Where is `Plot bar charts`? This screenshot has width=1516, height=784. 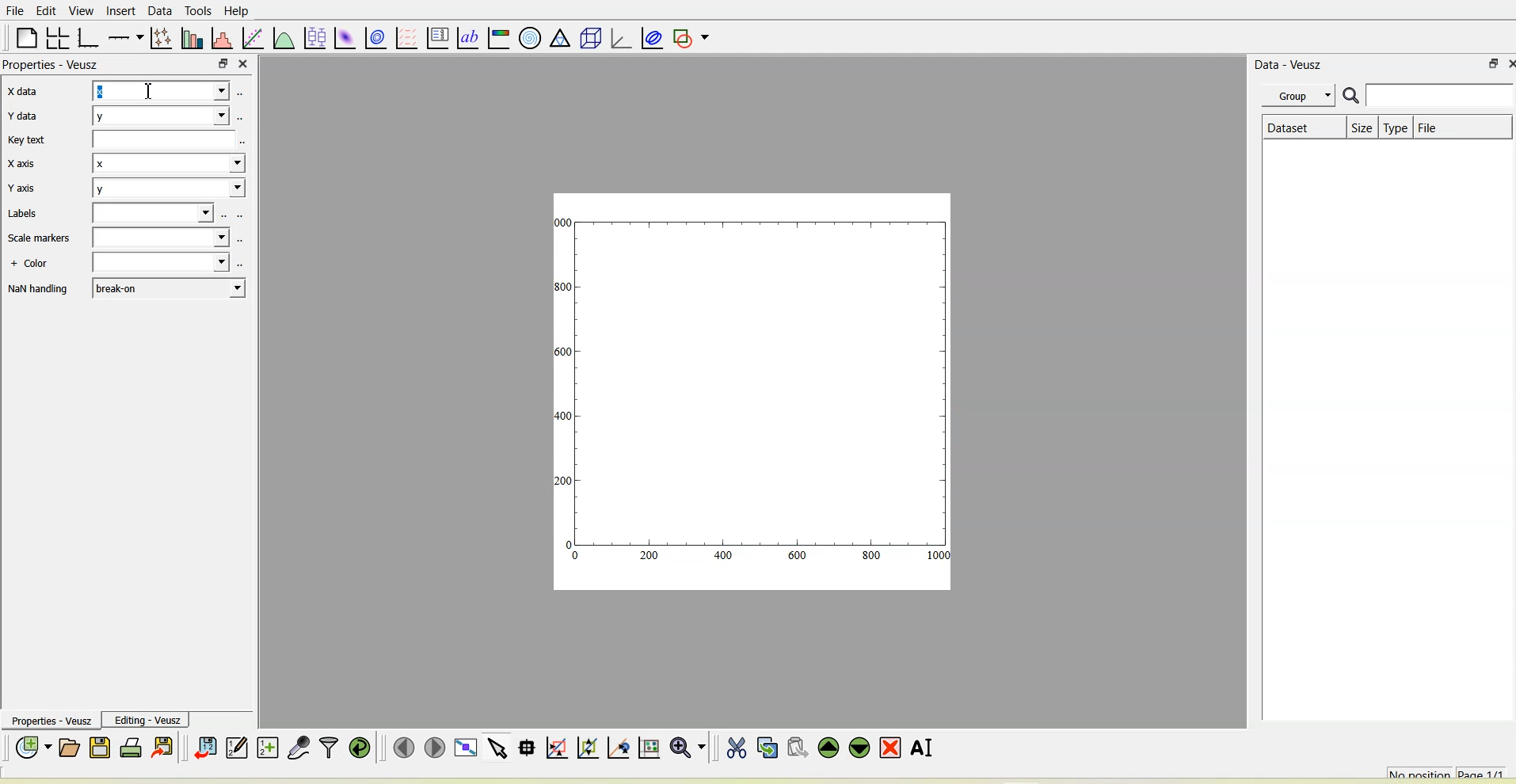 Plot bar charts is located at coordinates (192, 39).